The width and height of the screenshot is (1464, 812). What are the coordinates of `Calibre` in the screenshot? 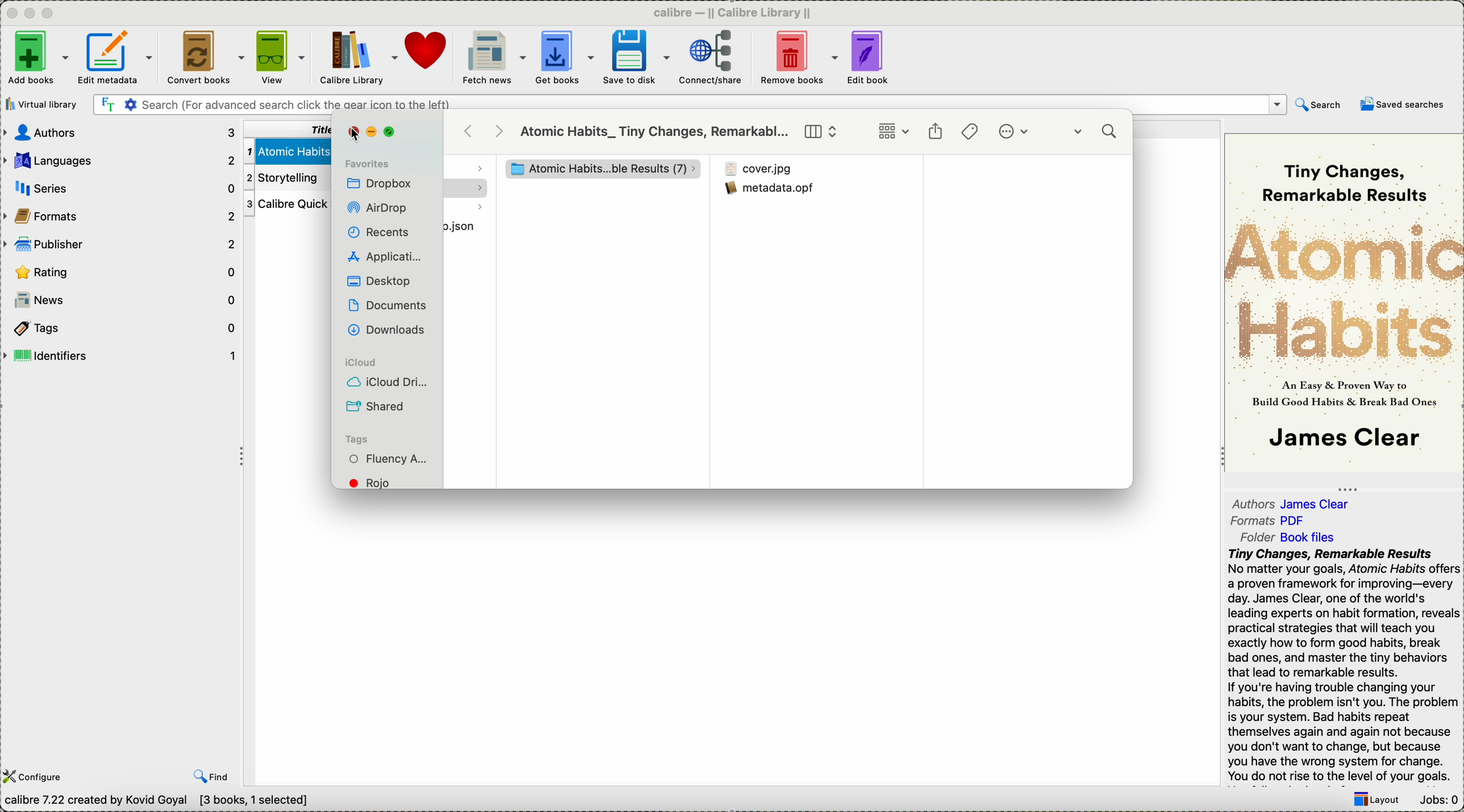 It's located at (737, 12).